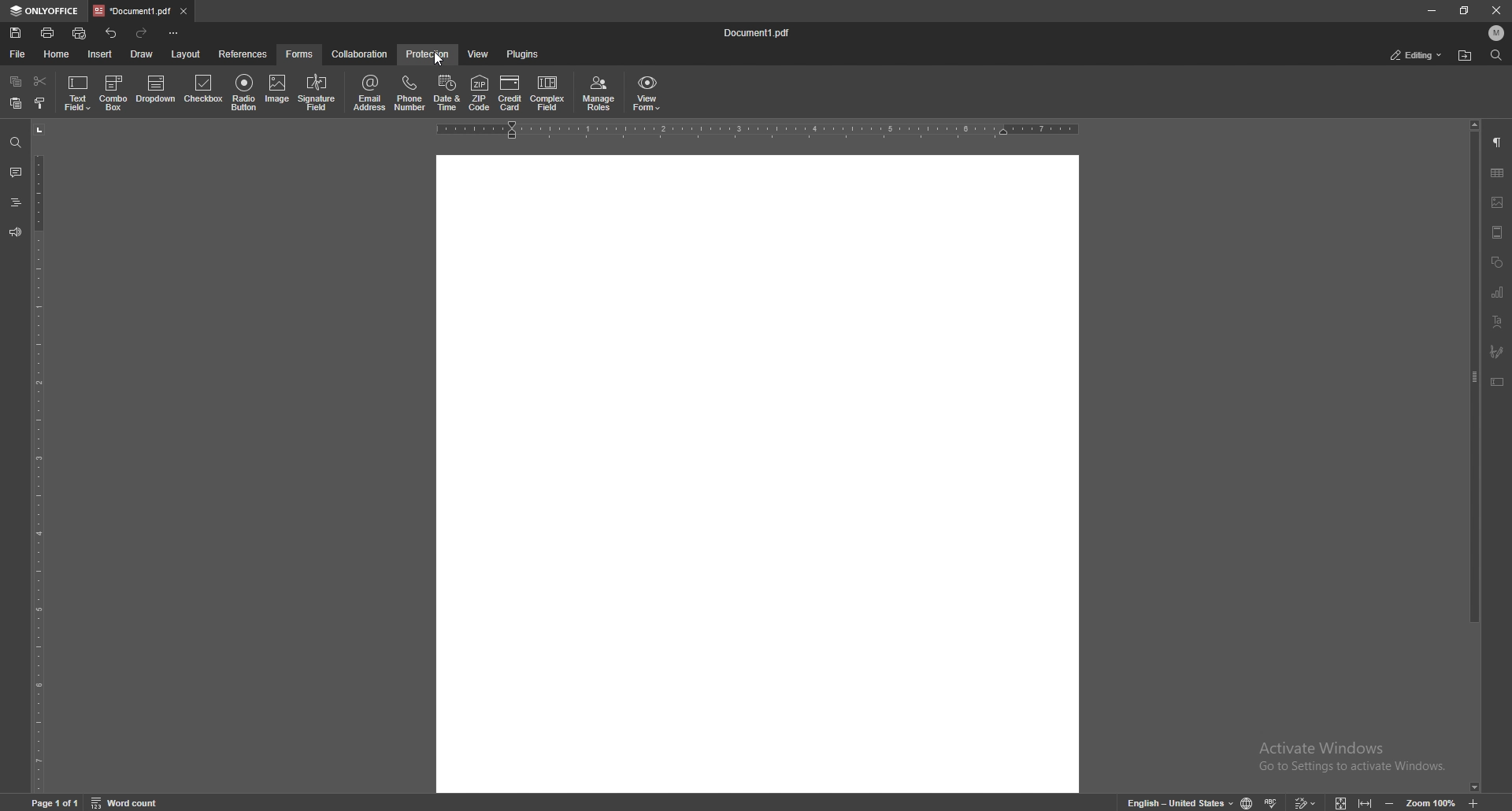 The image size is (1512, 811). I want to click on plugins, so click(521, 55).